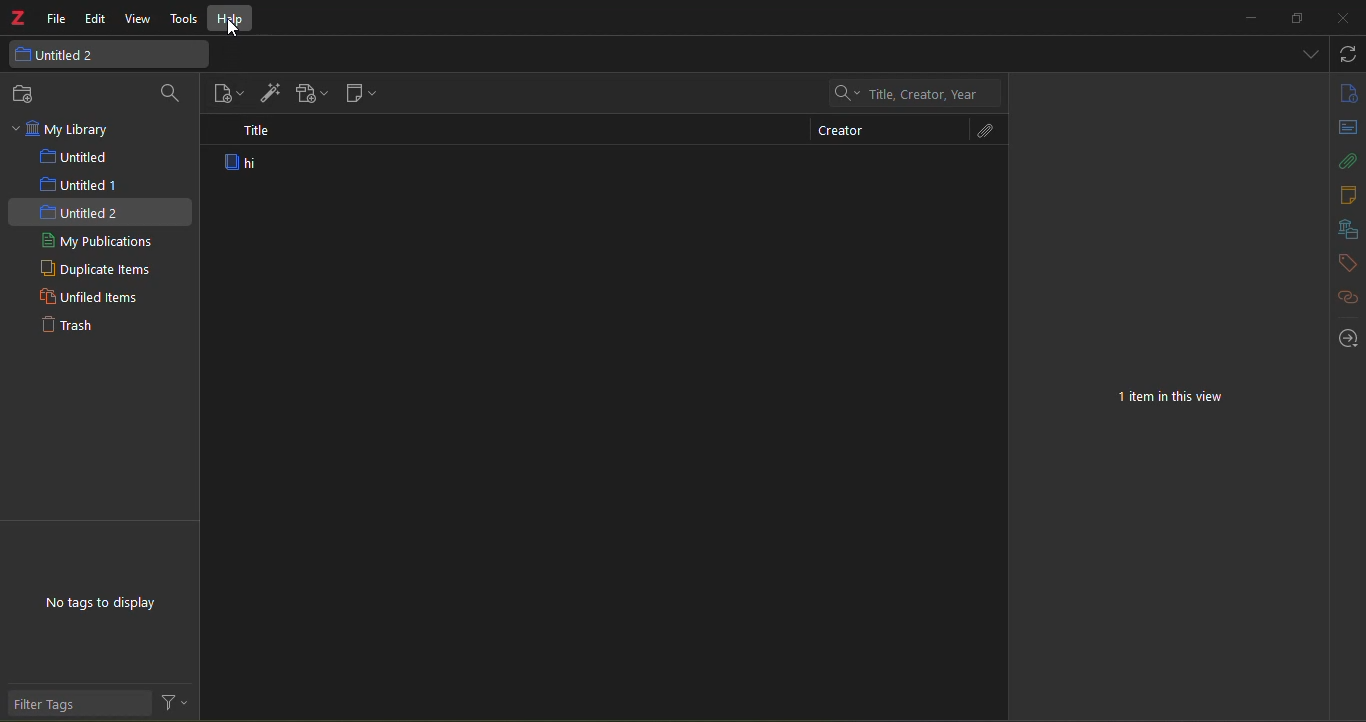  What do you see at coordinates (1350, 53) in the screenshot?
I see `sync` at bounding box center [1350, 53].